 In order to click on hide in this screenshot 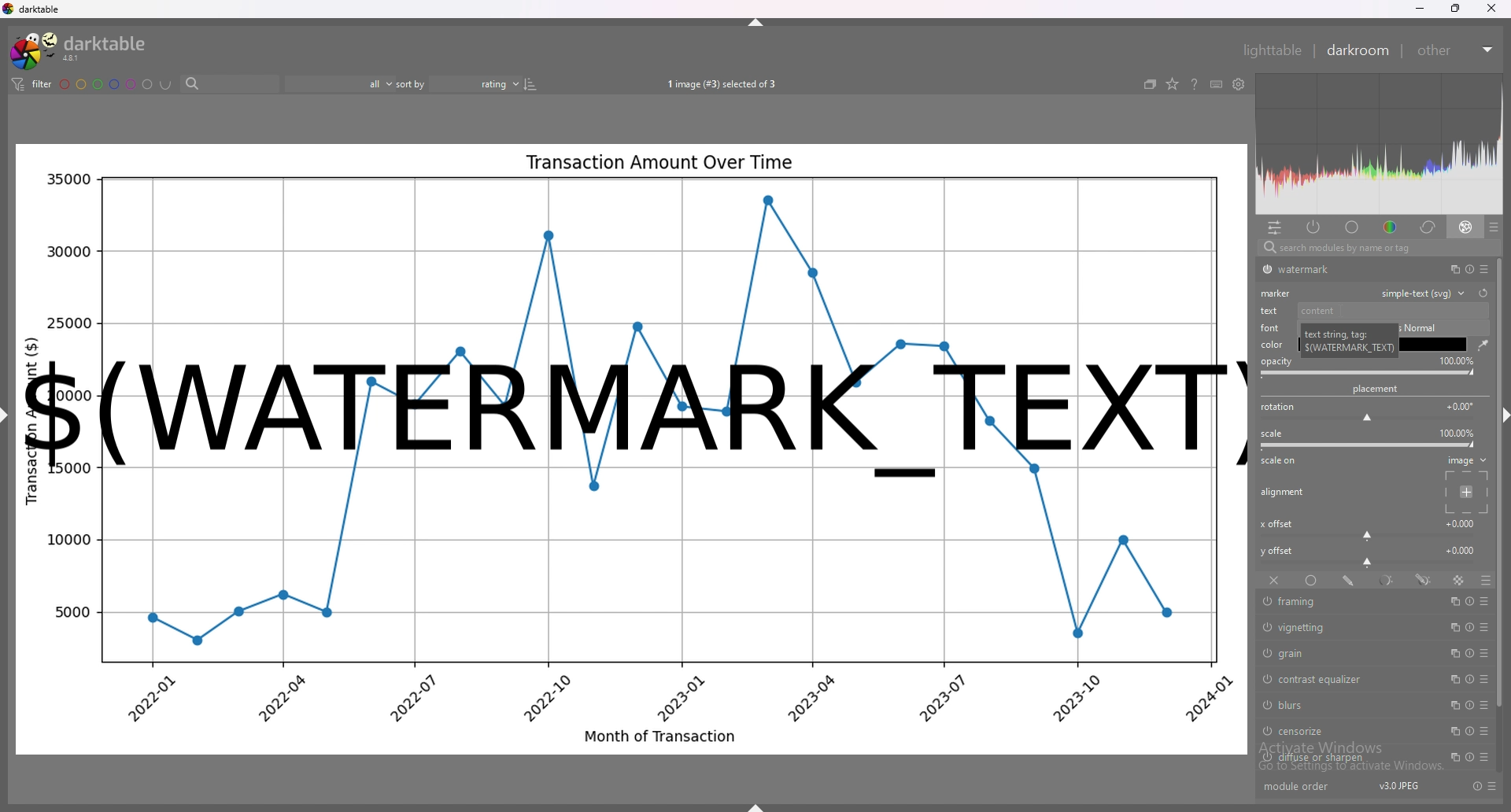, I will do `click(755, 806)`.